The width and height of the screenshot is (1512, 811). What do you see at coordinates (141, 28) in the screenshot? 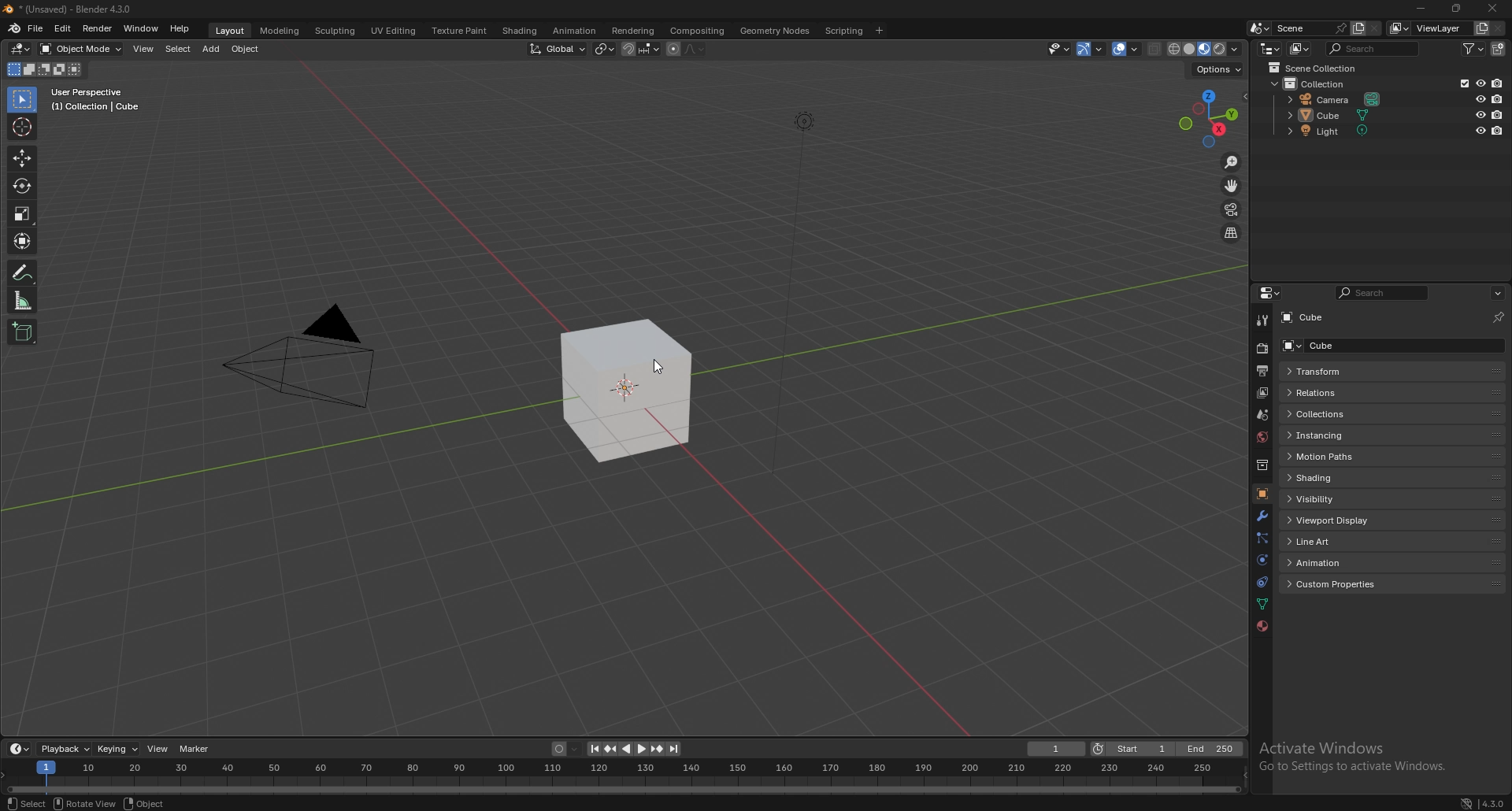
I see `window` at bounding box center [141, 28].